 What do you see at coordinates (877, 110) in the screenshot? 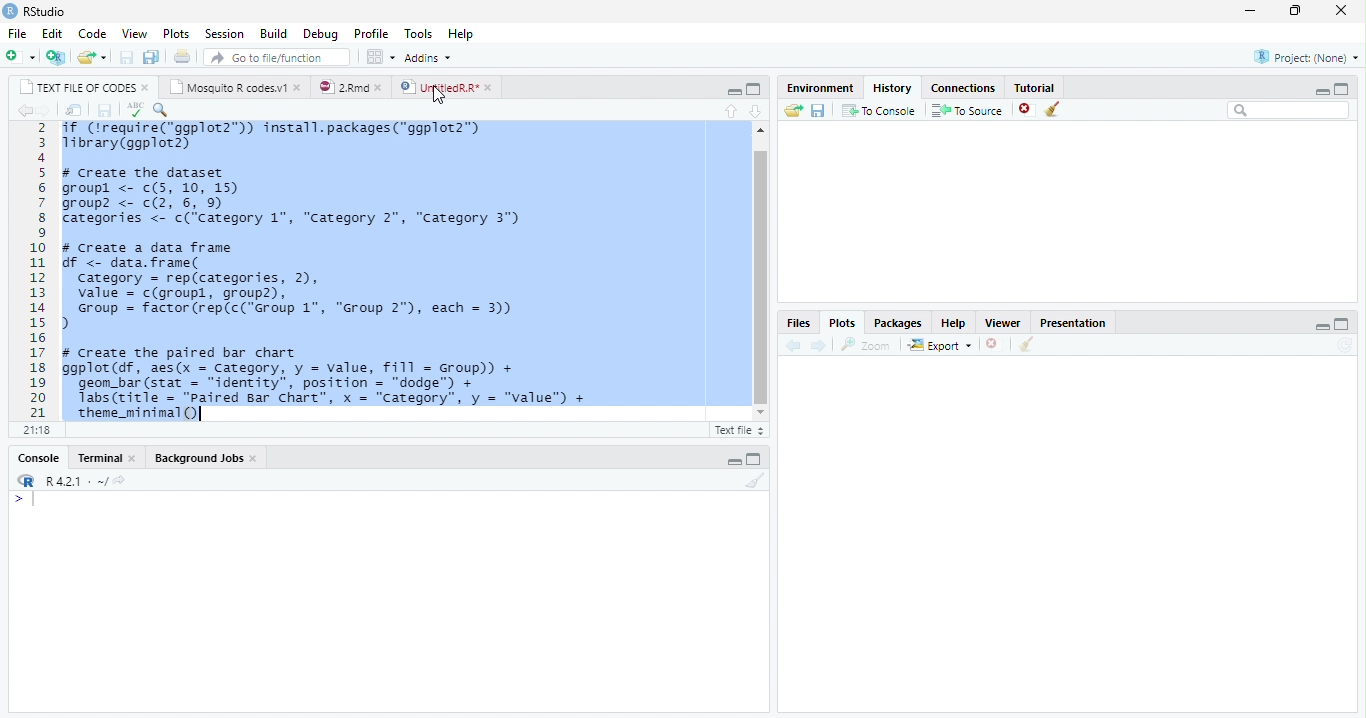
I see `to console : send the selected commands to the R console` at bounding box center [877, 110].